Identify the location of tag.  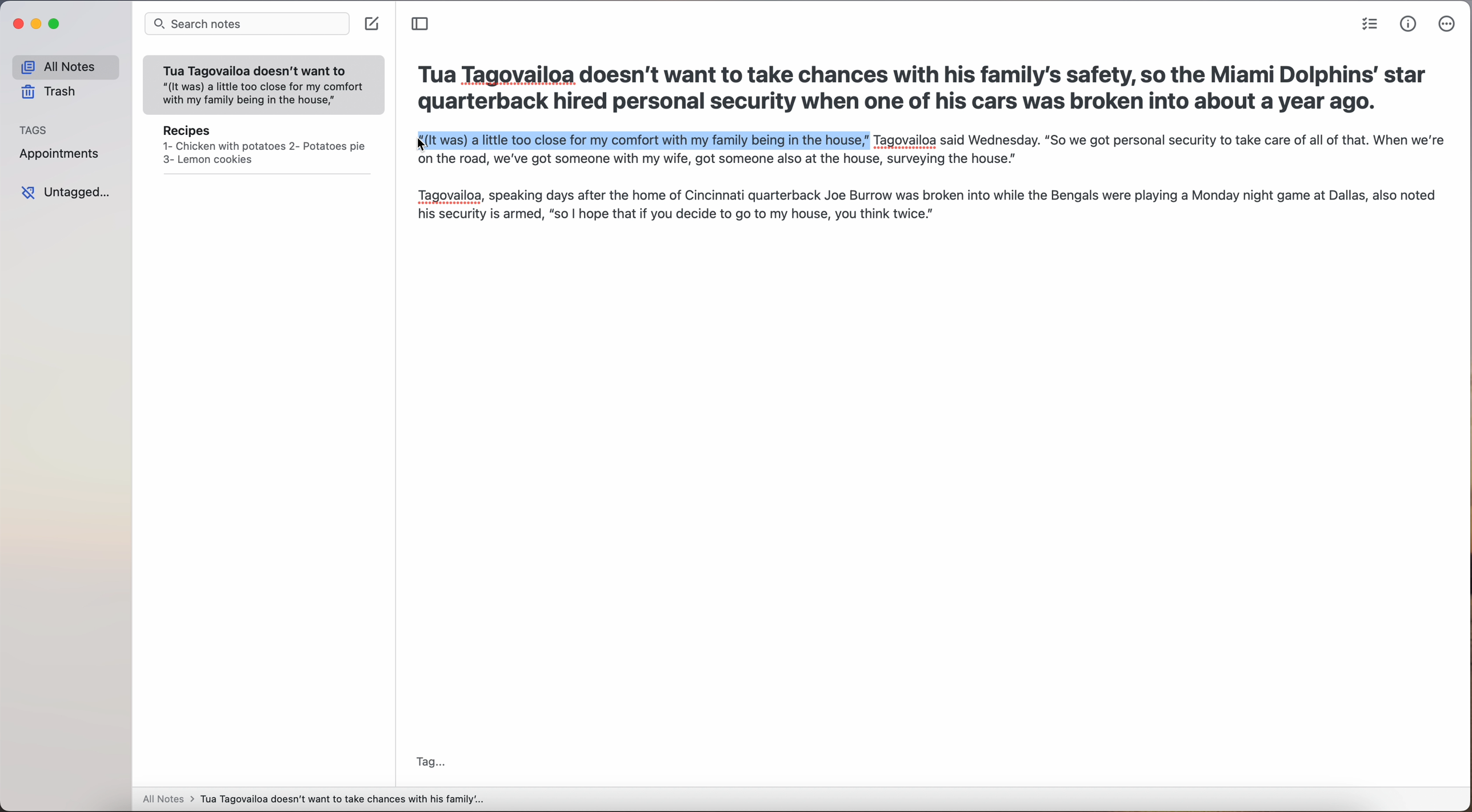
(431, 763).